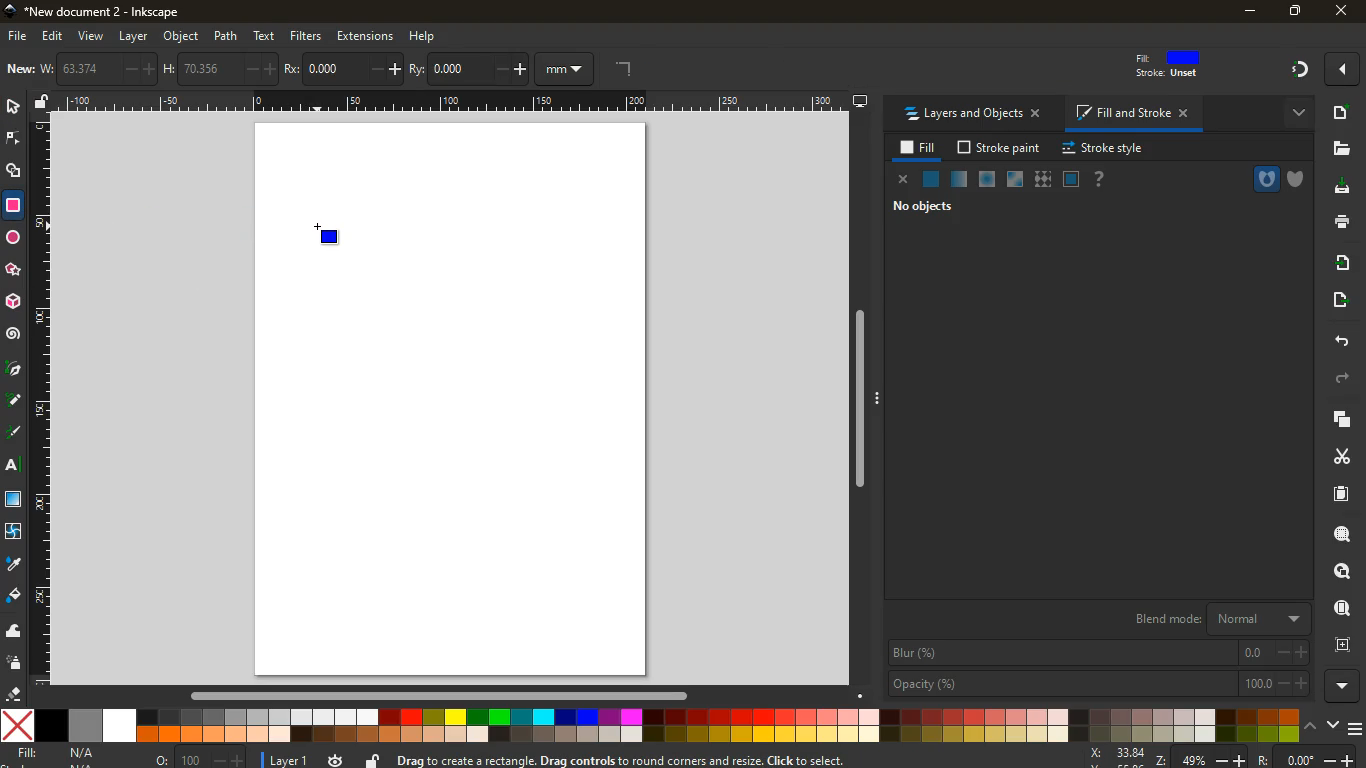 Image resolution: width=1366 pixels, height=768 pixels. Describe the element at coordinates (182, 37) in the screenshot. I see `object` at that location.